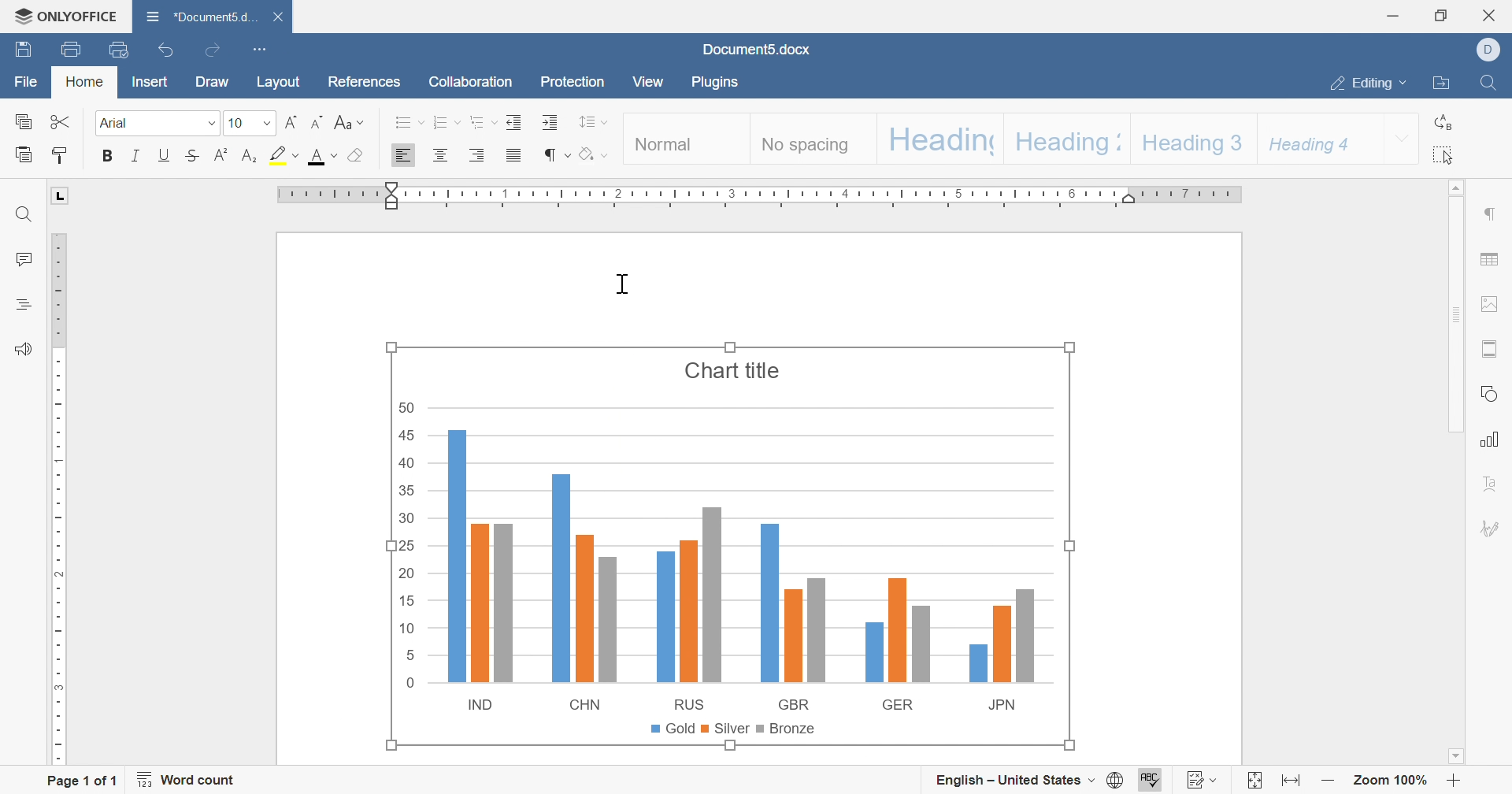  What do you see at coordinates (363, 82) in the screenshot?
I see `references` at bounding box center [363, 82].